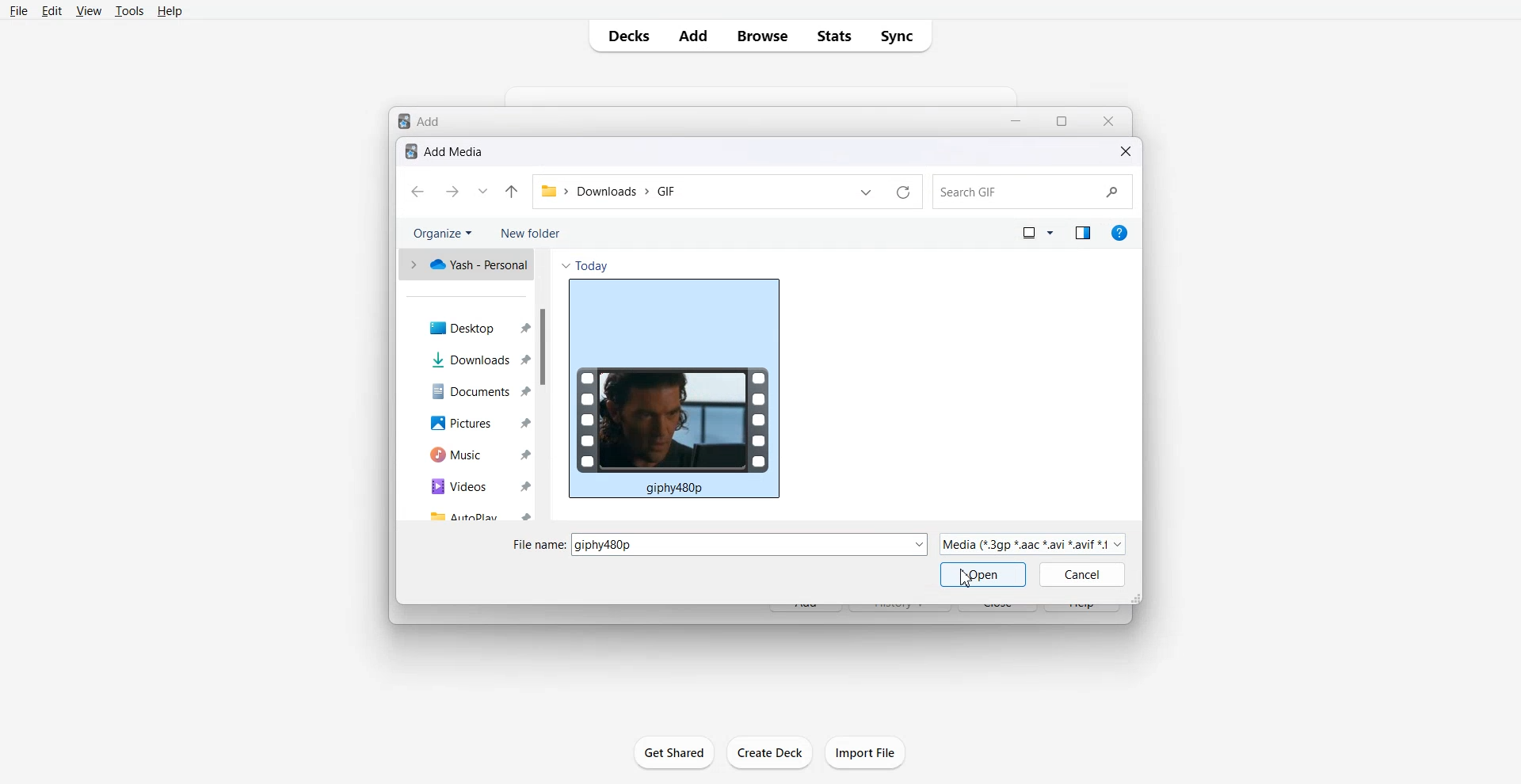 The height and width of the screenshot is (784, 1521). Describe the element at coordinates (19, 11) in the screenshot. I see `File` at that location.